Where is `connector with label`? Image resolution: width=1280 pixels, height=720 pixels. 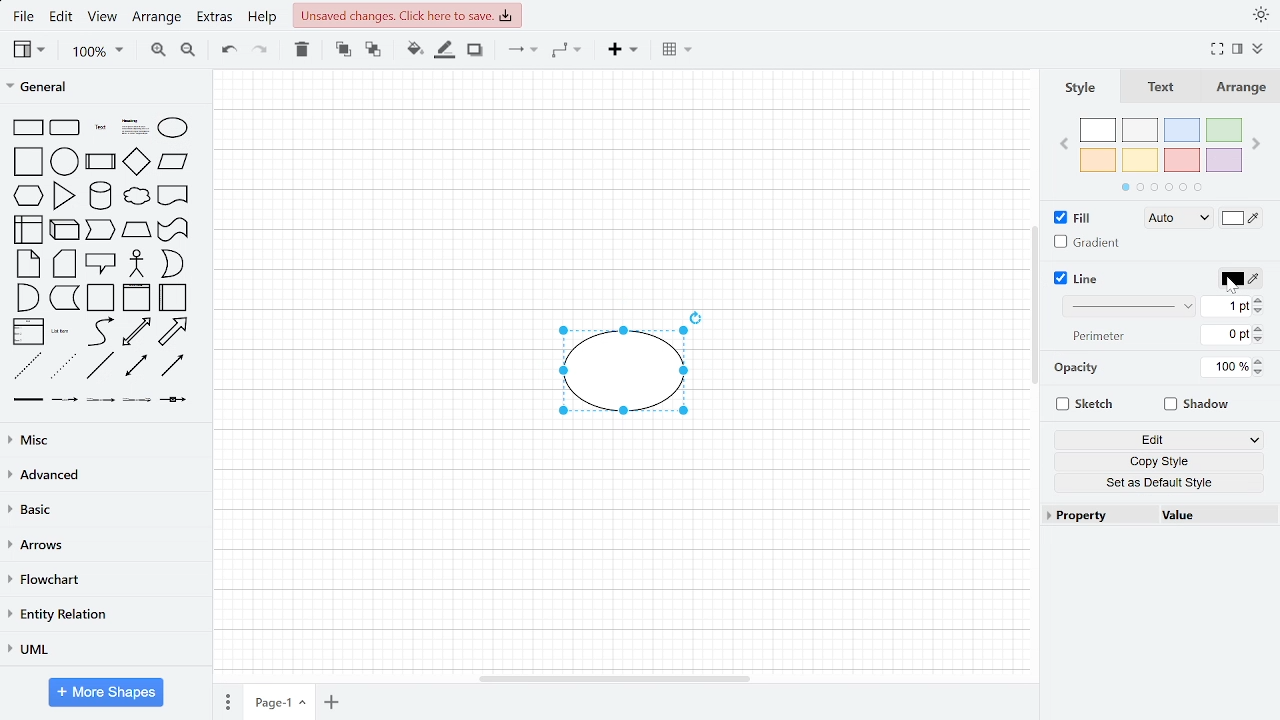 connector with label is located at coordinates (65, 401).